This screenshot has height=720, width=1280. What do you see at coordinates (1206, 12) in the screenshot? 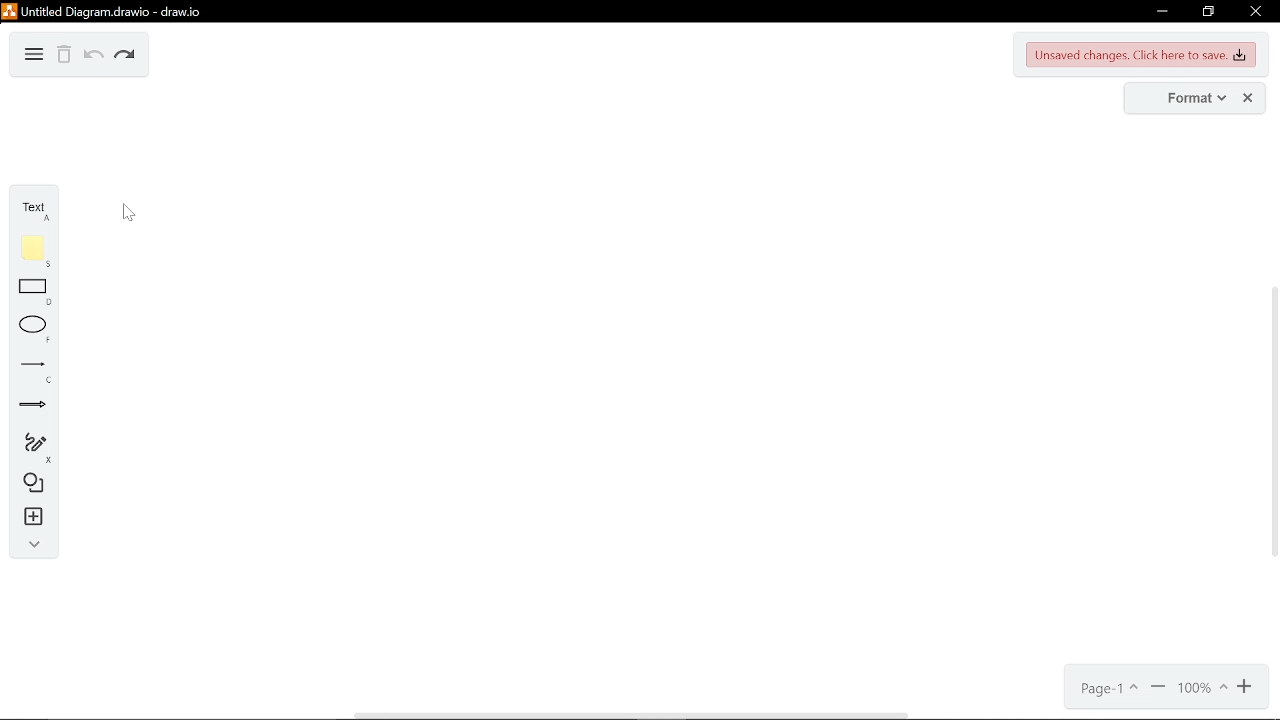
I see `restore down` at bounding box center [1206, 12].